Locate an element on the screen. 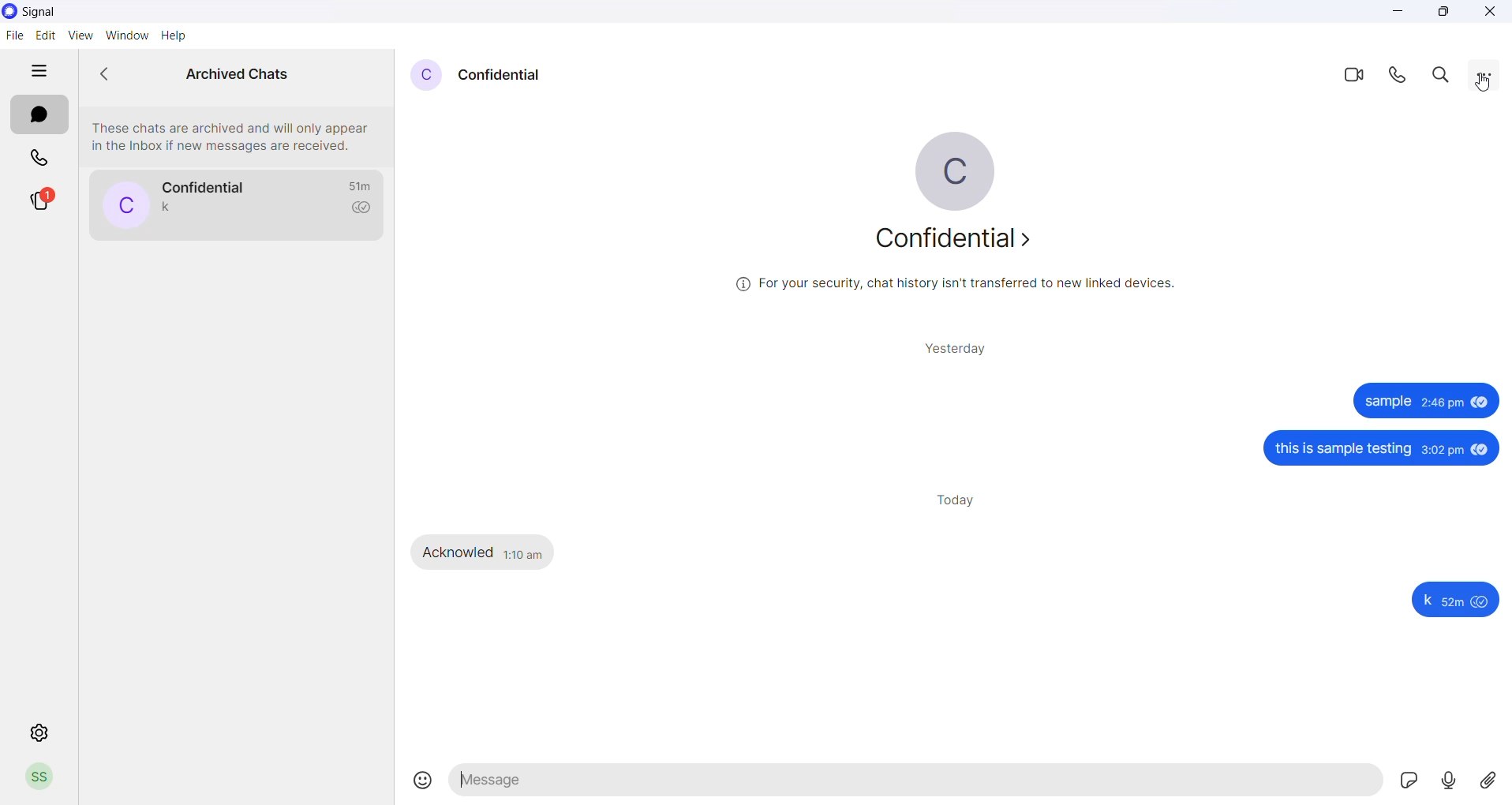  contact name is located at coordinates (511, 77).